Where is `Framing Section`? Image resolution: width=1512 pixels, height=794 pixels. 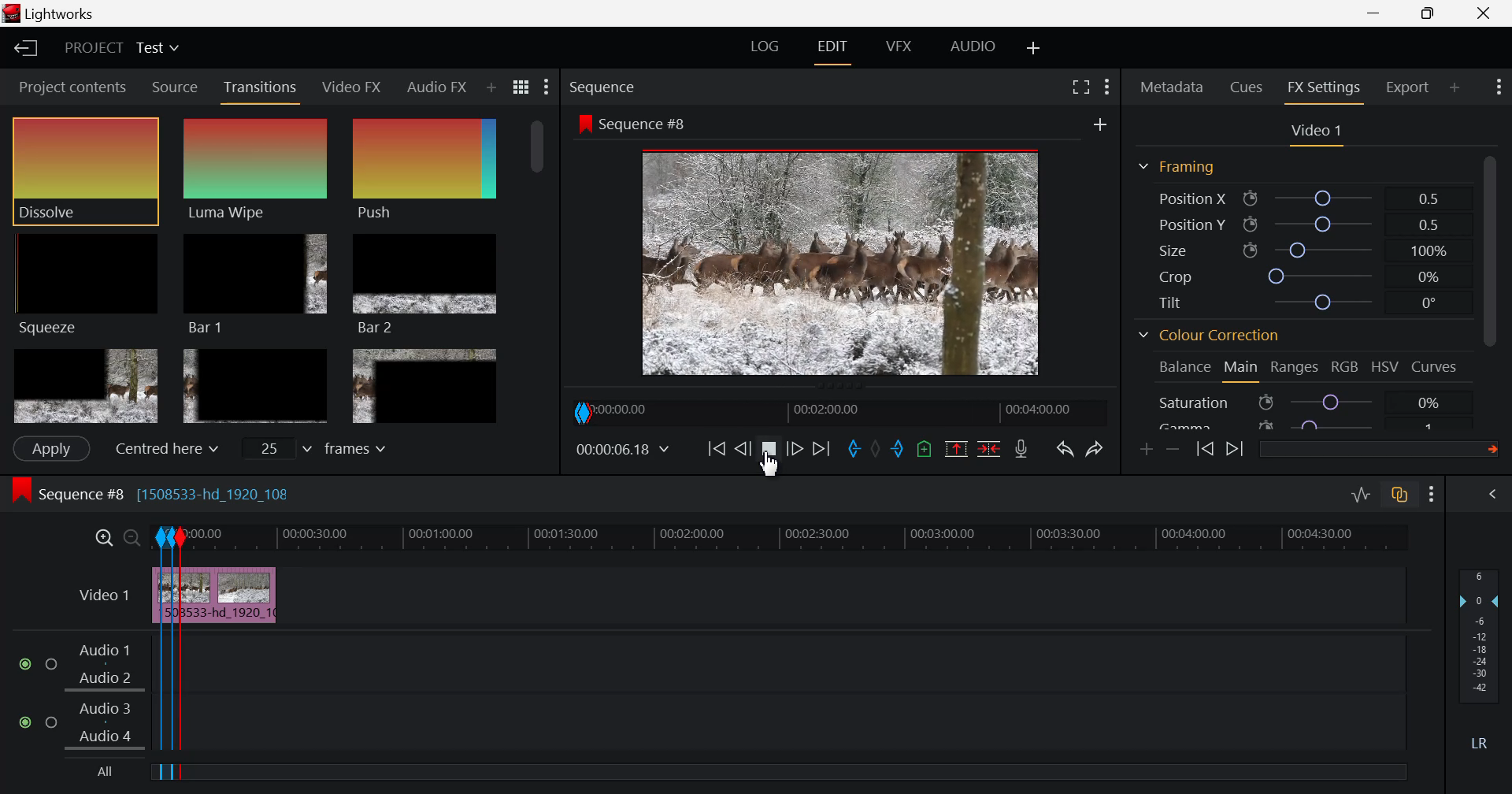 Framing Section is located at coordinates (1177, 168).